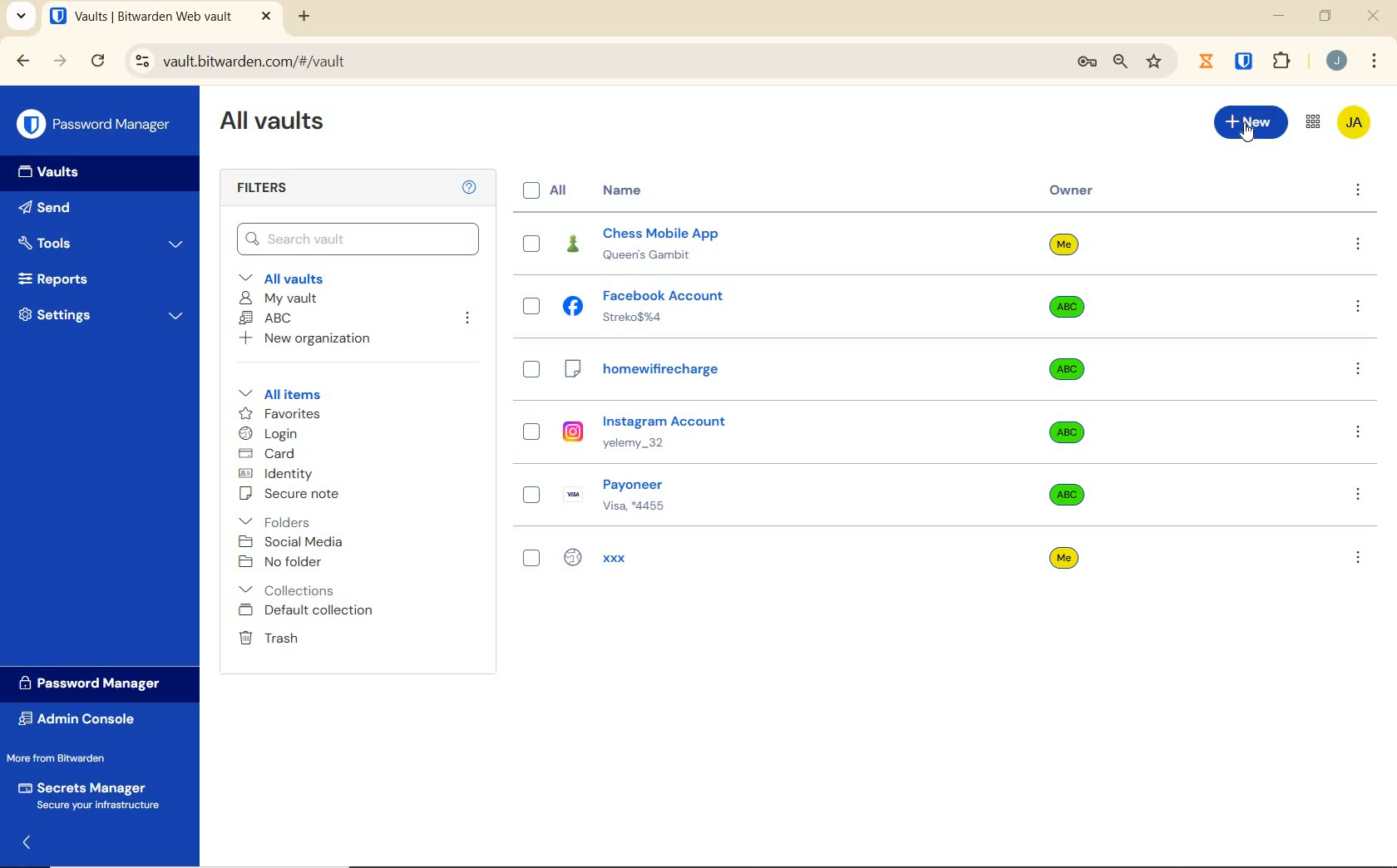 The width and height of the screenshot is (1397, 868). What do you see at coordinates (61, 62) in the screenshot?
I see `forward` at bounding box center [61, 62].